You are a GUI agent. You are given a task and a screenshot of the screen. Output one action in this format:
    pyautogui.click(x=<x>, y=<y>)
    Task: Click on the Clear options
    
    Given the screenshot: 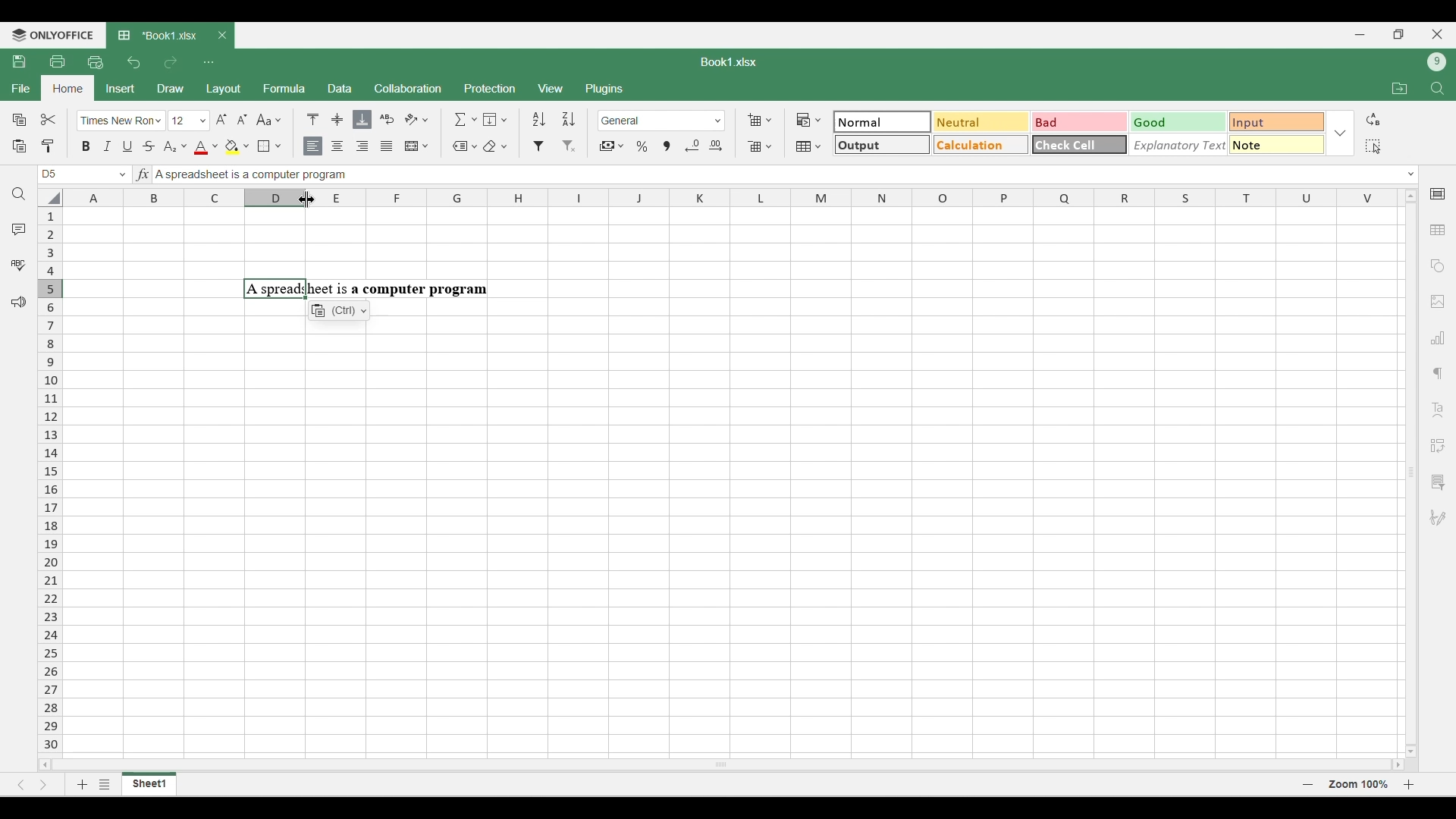 What is the action you would take?
    pyautogui.click(x=494, y=146)
    